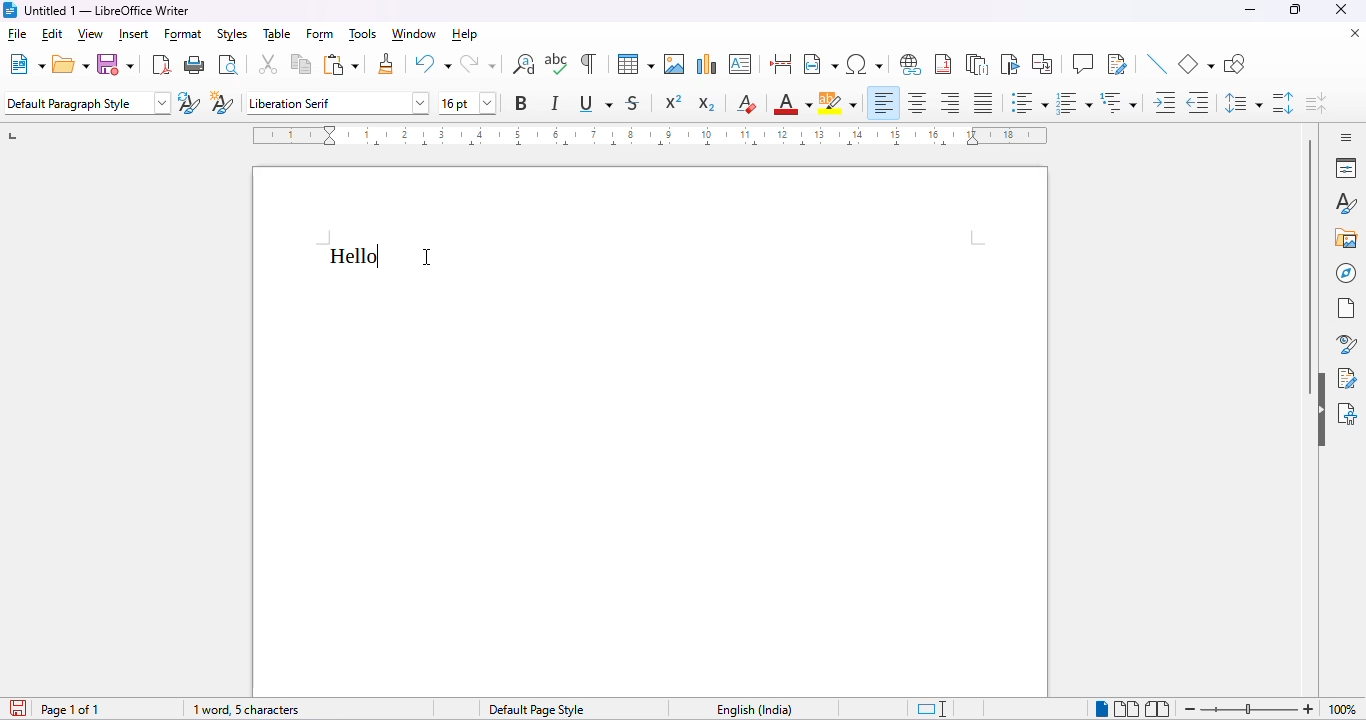  What do you see at coordinates (1345, 710) in the screenshot?
I see `zoom factor` at bounding box center [1345, 710].